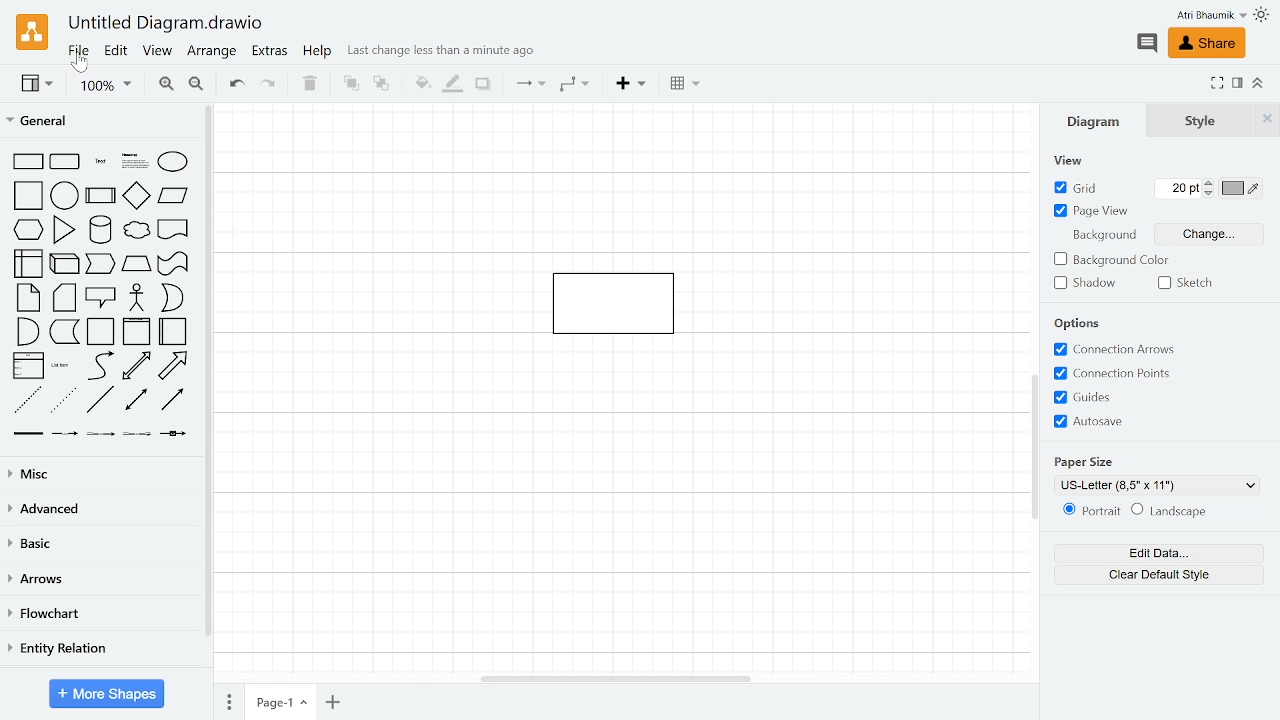 Image resolution: width=1280 pixels, height=720 pixels. I want to click on Increase grid pts, so click(1210, 183).